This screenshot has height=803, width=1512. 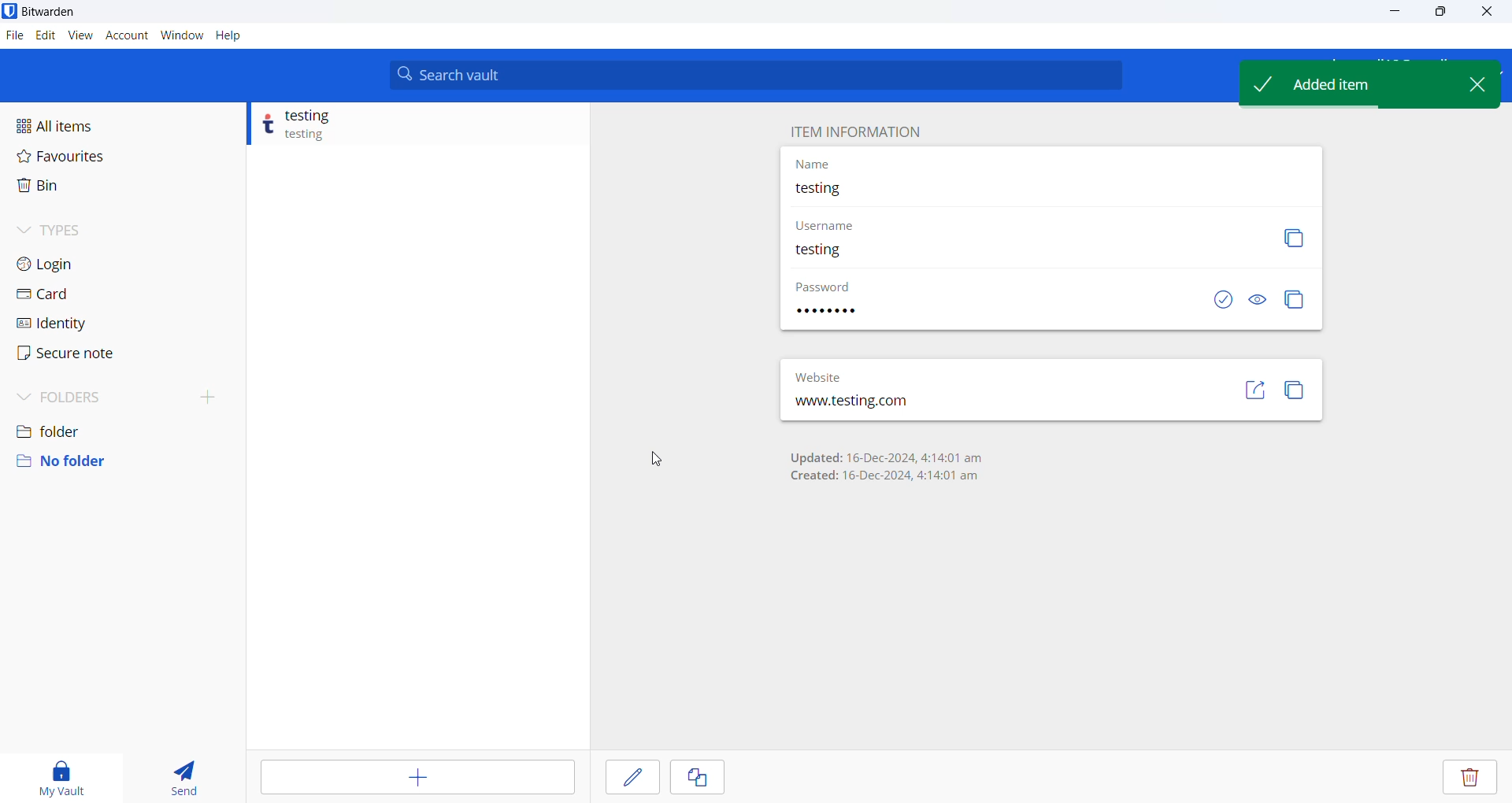 What do you see at coordinates (126, 394) in the screenshot?
I see `folders` at bounding box center [126, 394].